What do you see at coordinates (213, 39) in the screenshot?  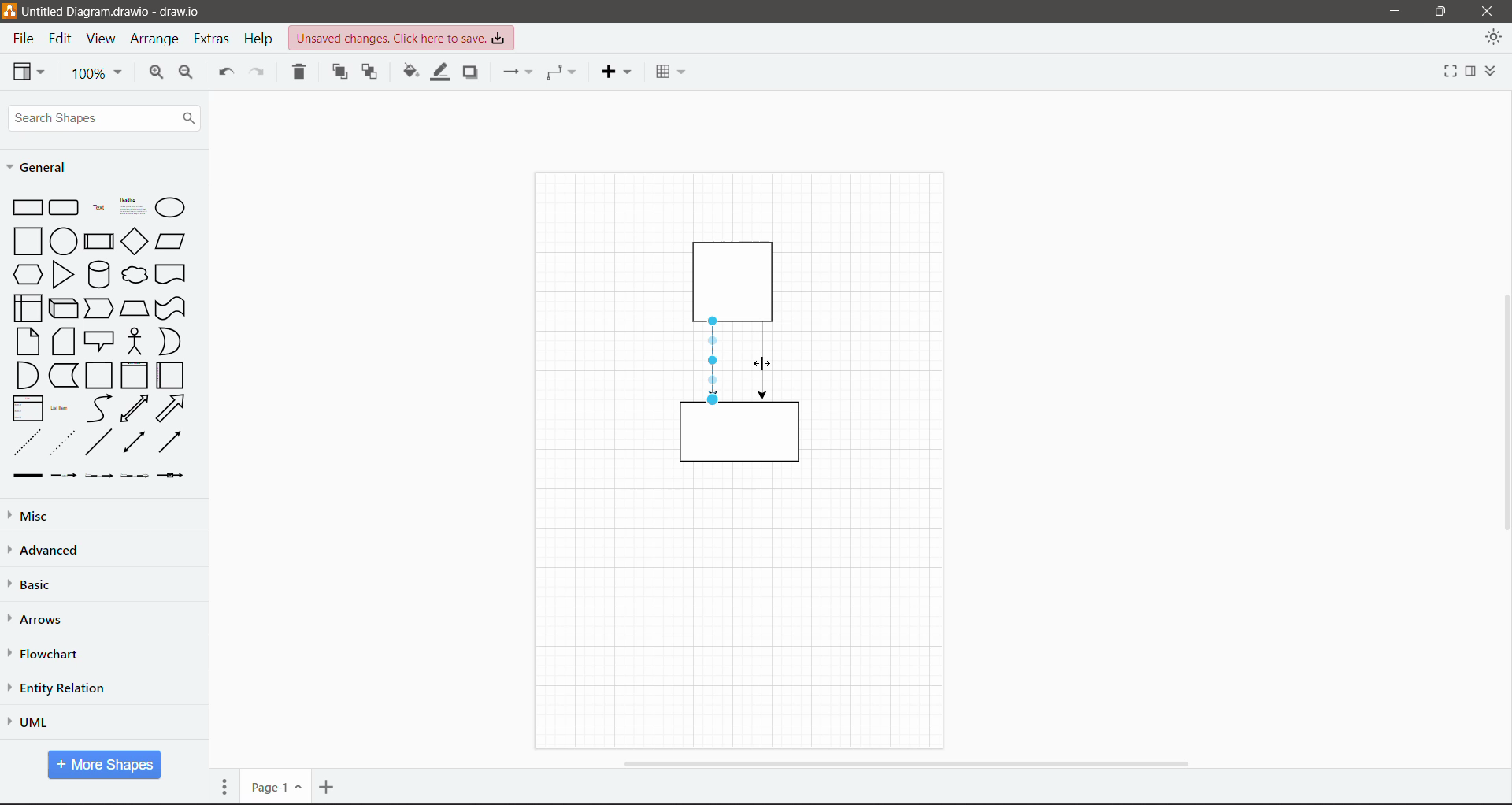 I see `Extras` at bounding box center [213, 39].